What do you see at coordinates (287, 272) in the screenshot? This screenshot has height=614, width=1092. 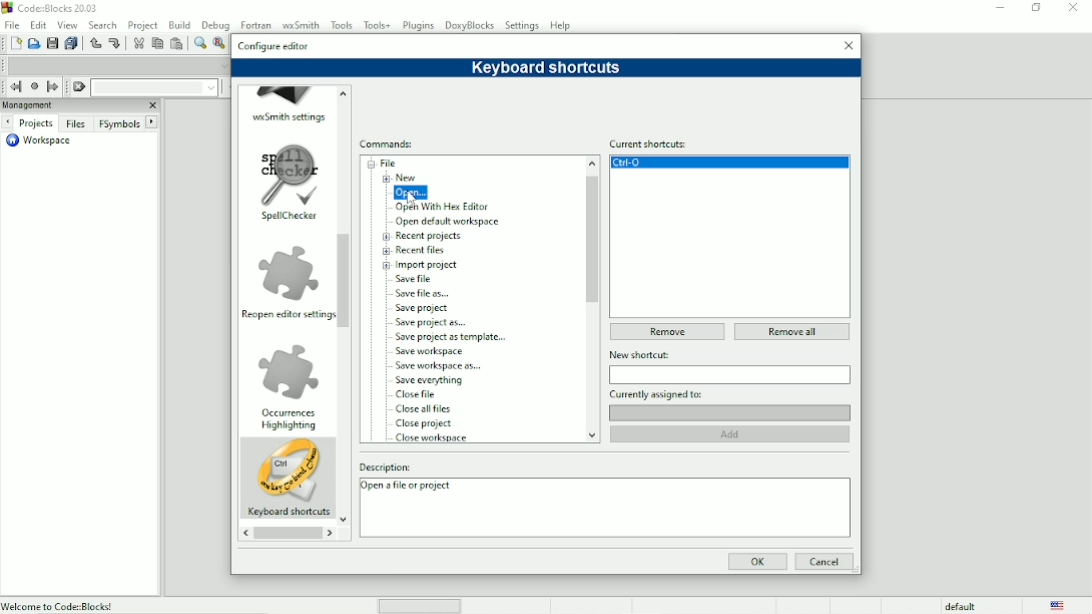 I see `Image` at bounding box center [287, 272].